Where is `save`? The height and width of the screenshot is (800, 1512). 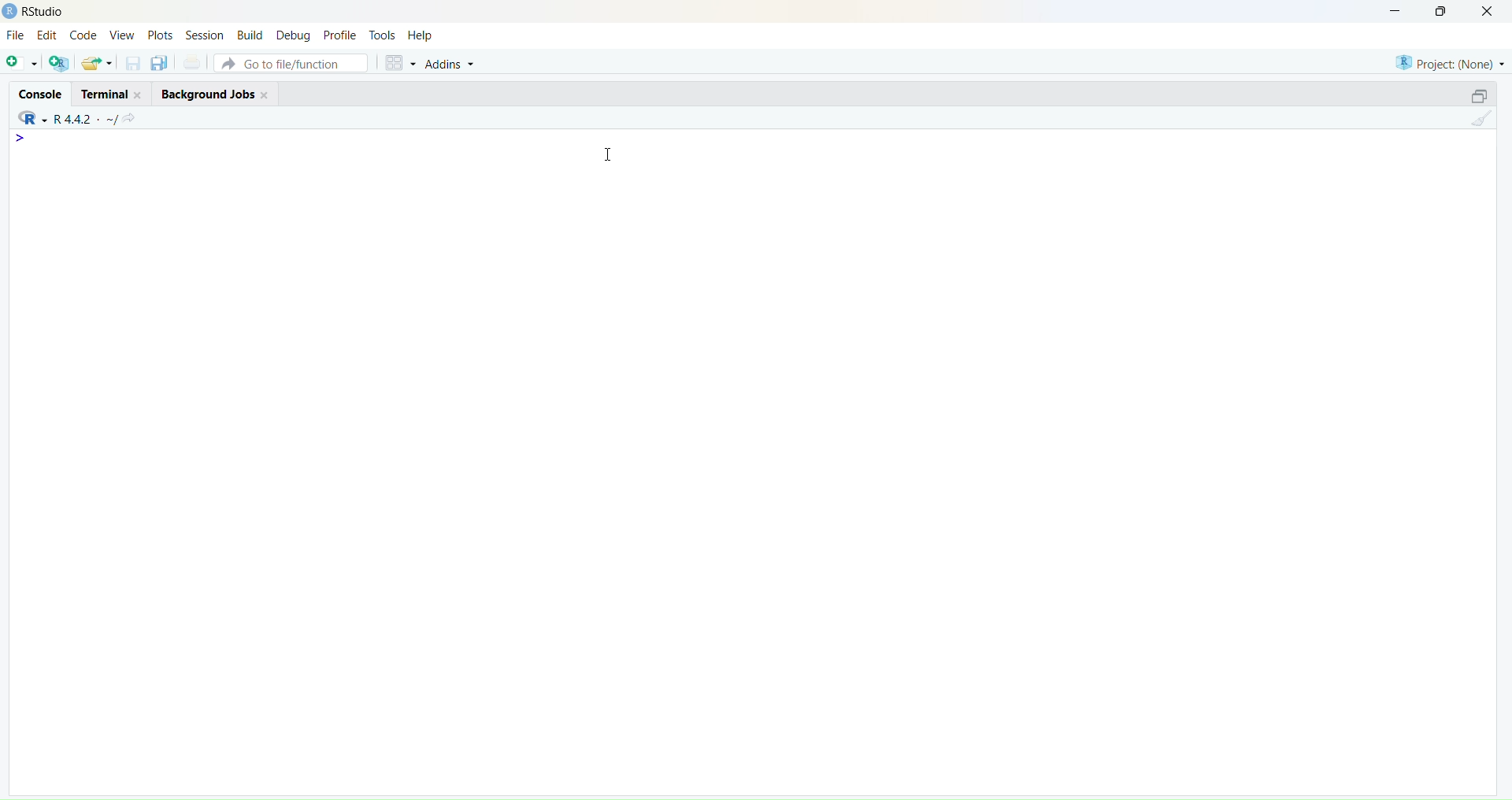
save is located at coordinates (132, 67).